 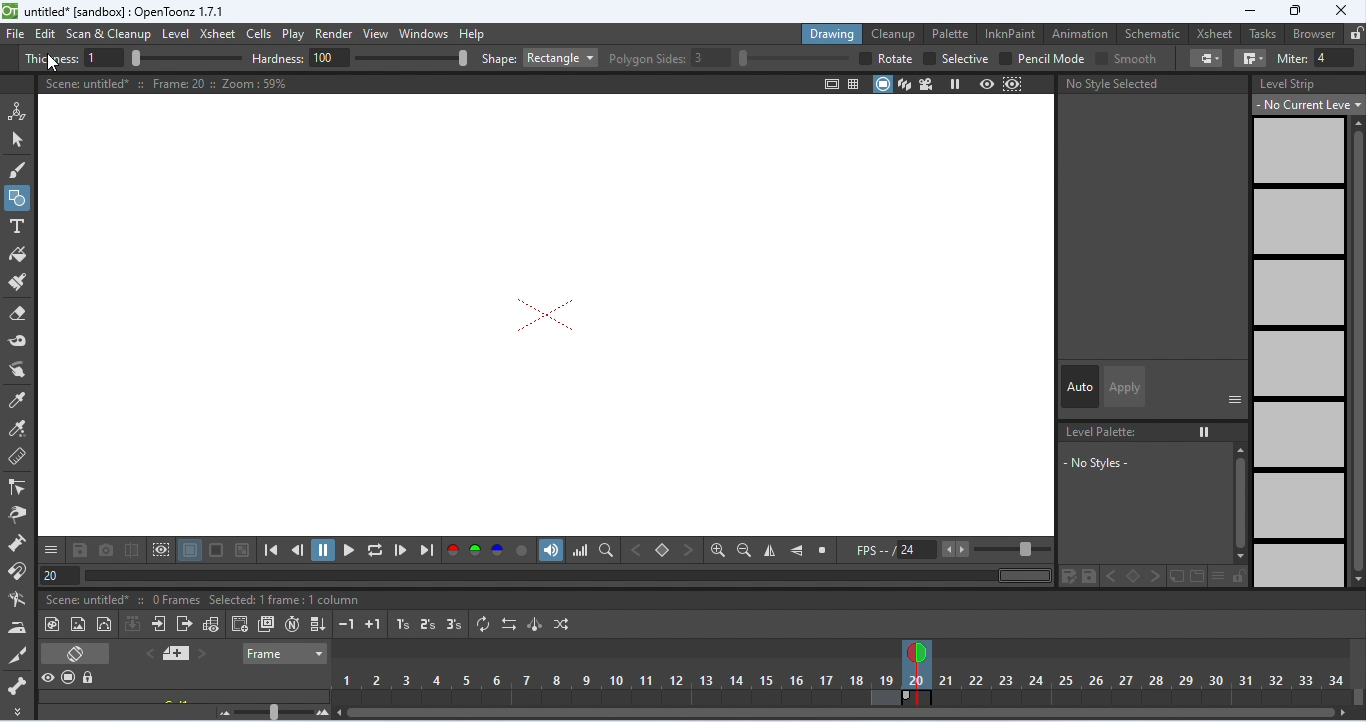 What do you see at coordinates (217, 34) in the screenshot?
I see `xsheet` at bounding box center [217, 34].